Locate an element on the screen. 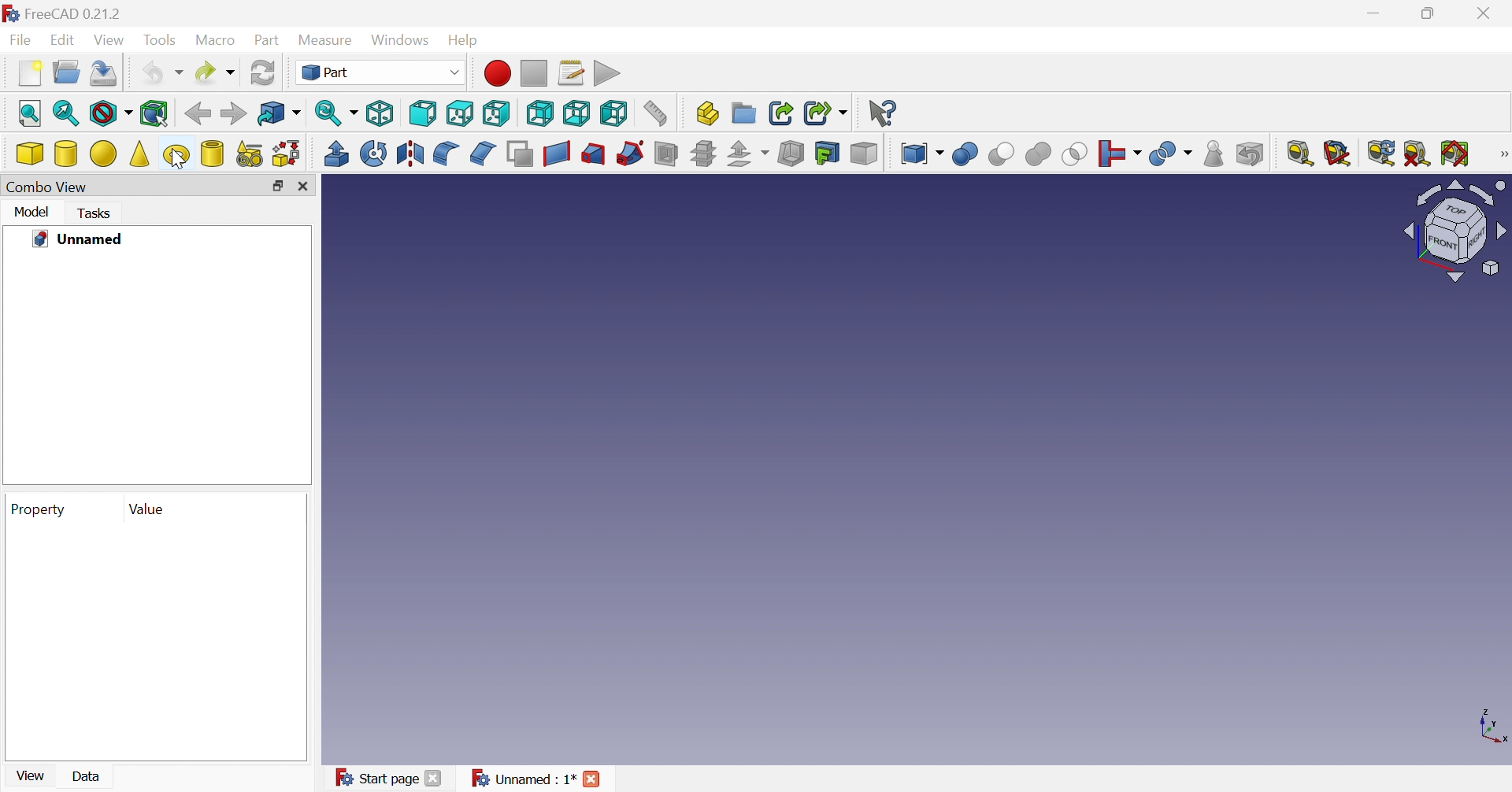 The image size is (1512, 792). Combo view is located at coordinates (44, 187).